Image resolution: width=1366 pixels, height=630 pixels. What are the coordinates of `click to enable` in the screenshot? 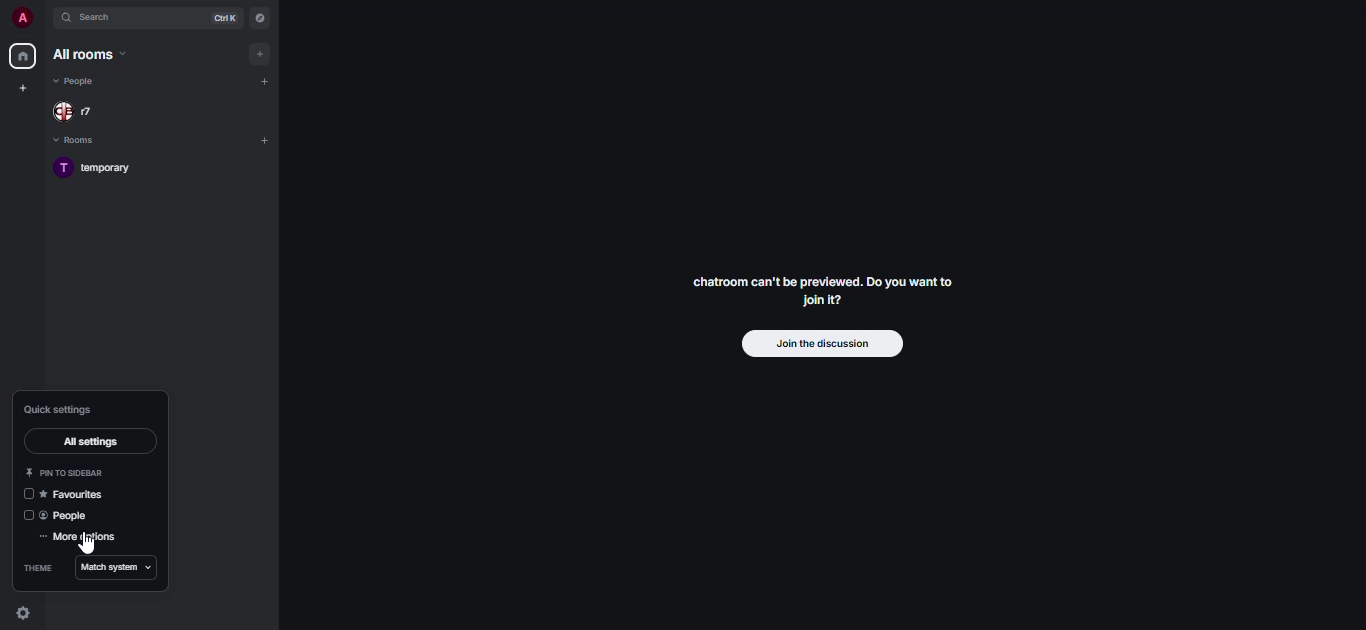 It's located at (27, 494).